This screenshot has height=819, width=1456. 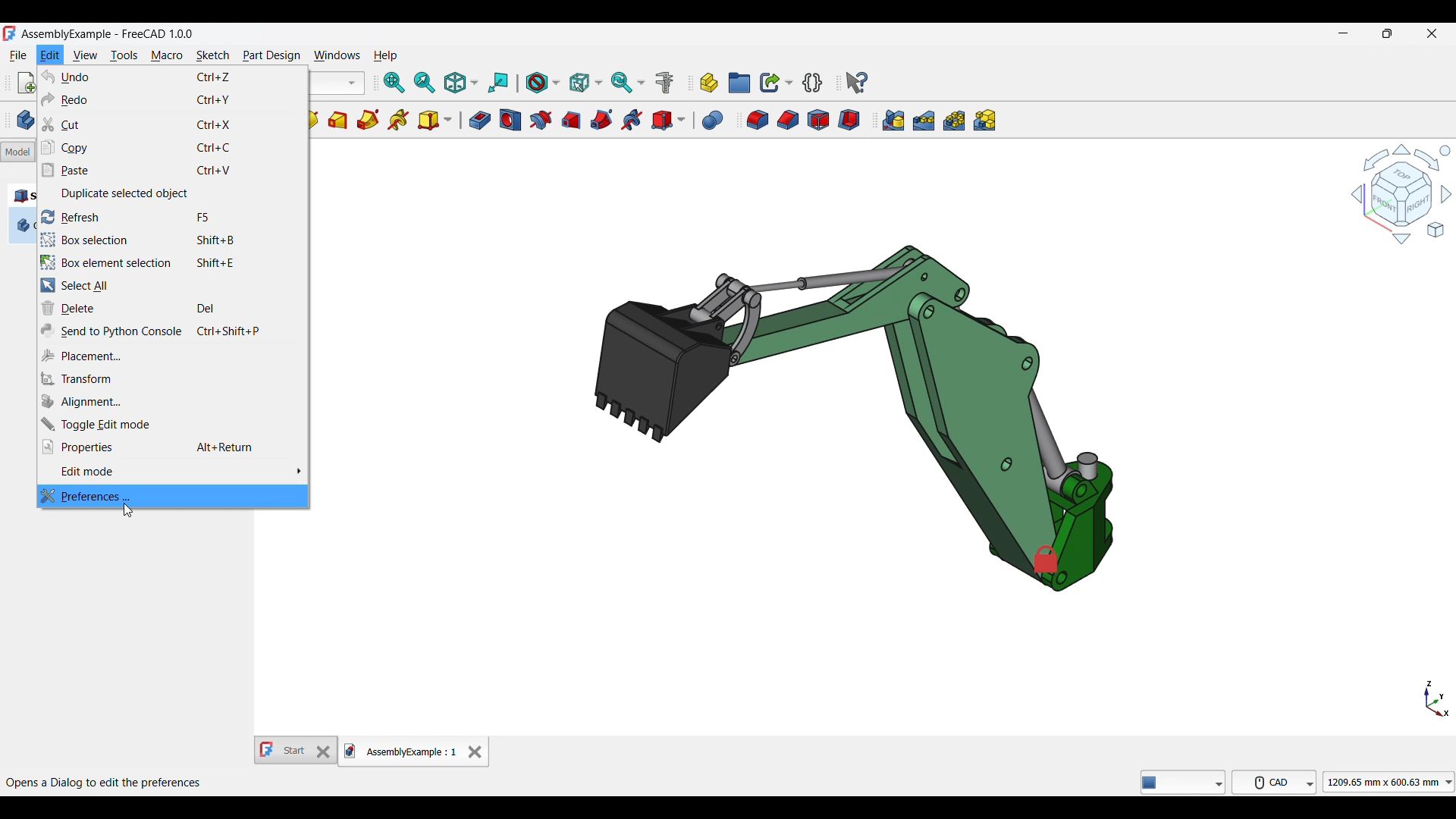 I want to click on File menu, so click(x=20, y=55).